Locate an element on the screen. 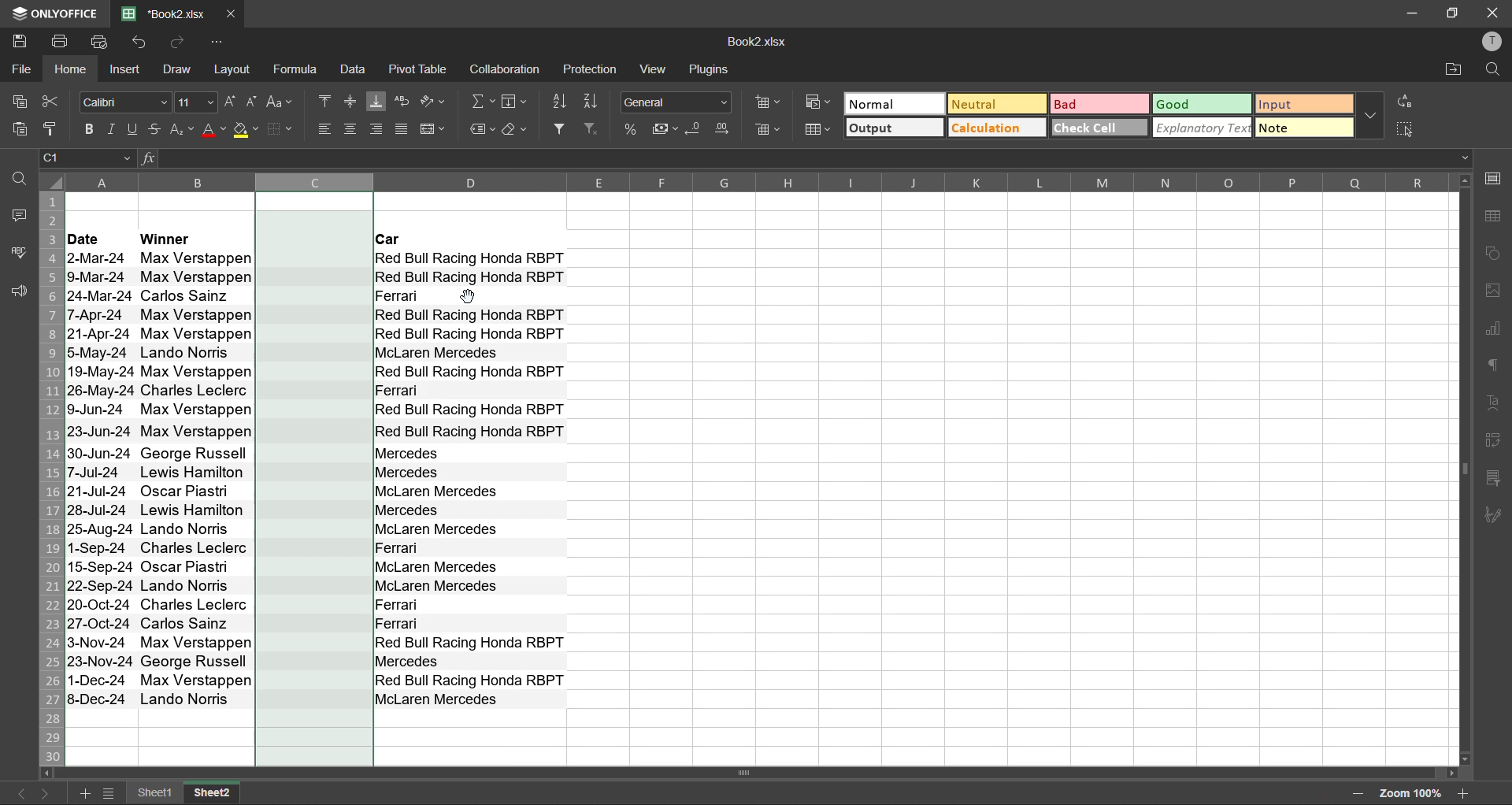 The image size is (1512, 805). conditional formatting is located at coordinates (820, 103).